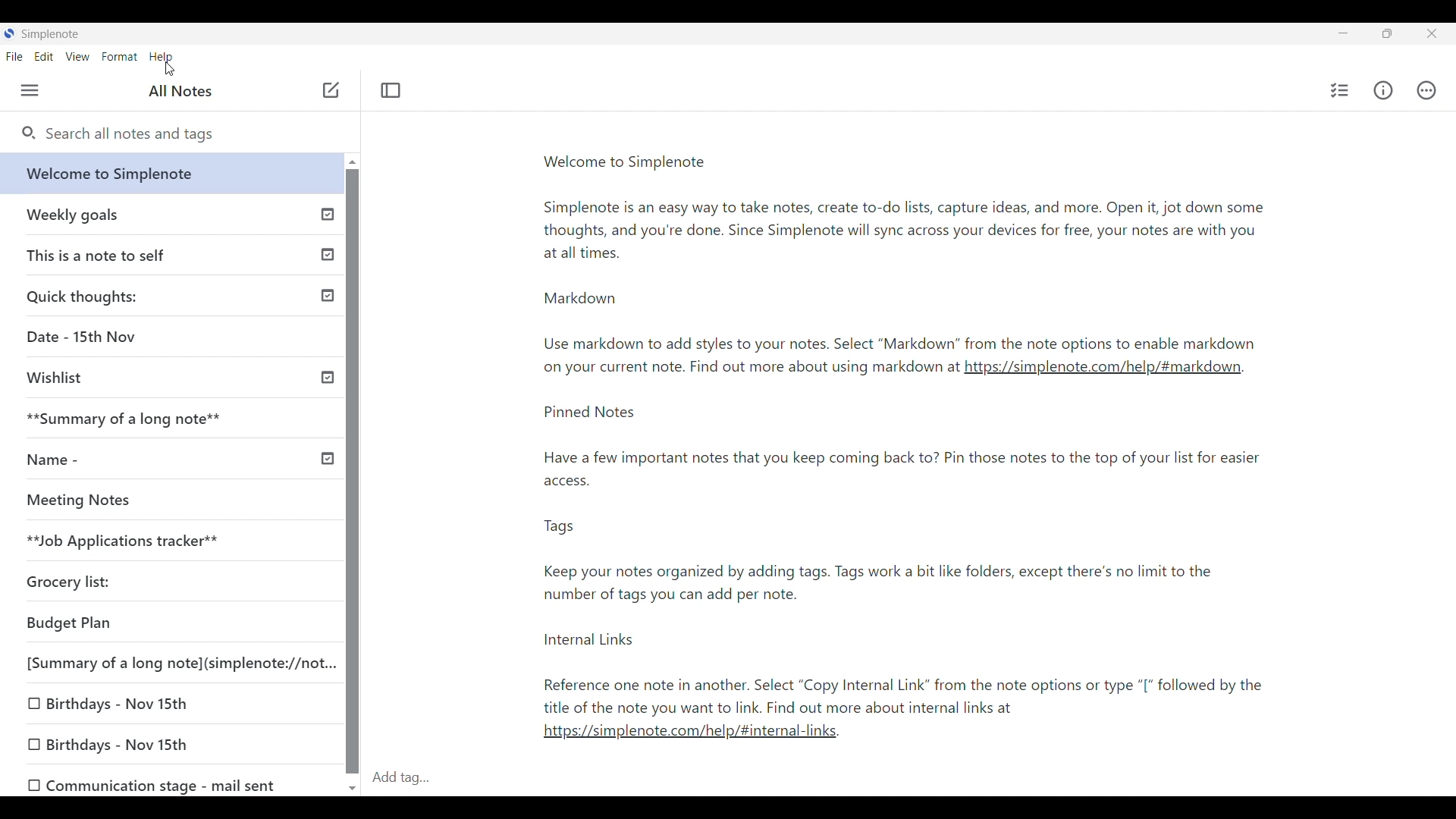 Image resolution: width=1456 pixels, height=819 pixels. I want to click on Toggle focus mode, so click(391, 90).